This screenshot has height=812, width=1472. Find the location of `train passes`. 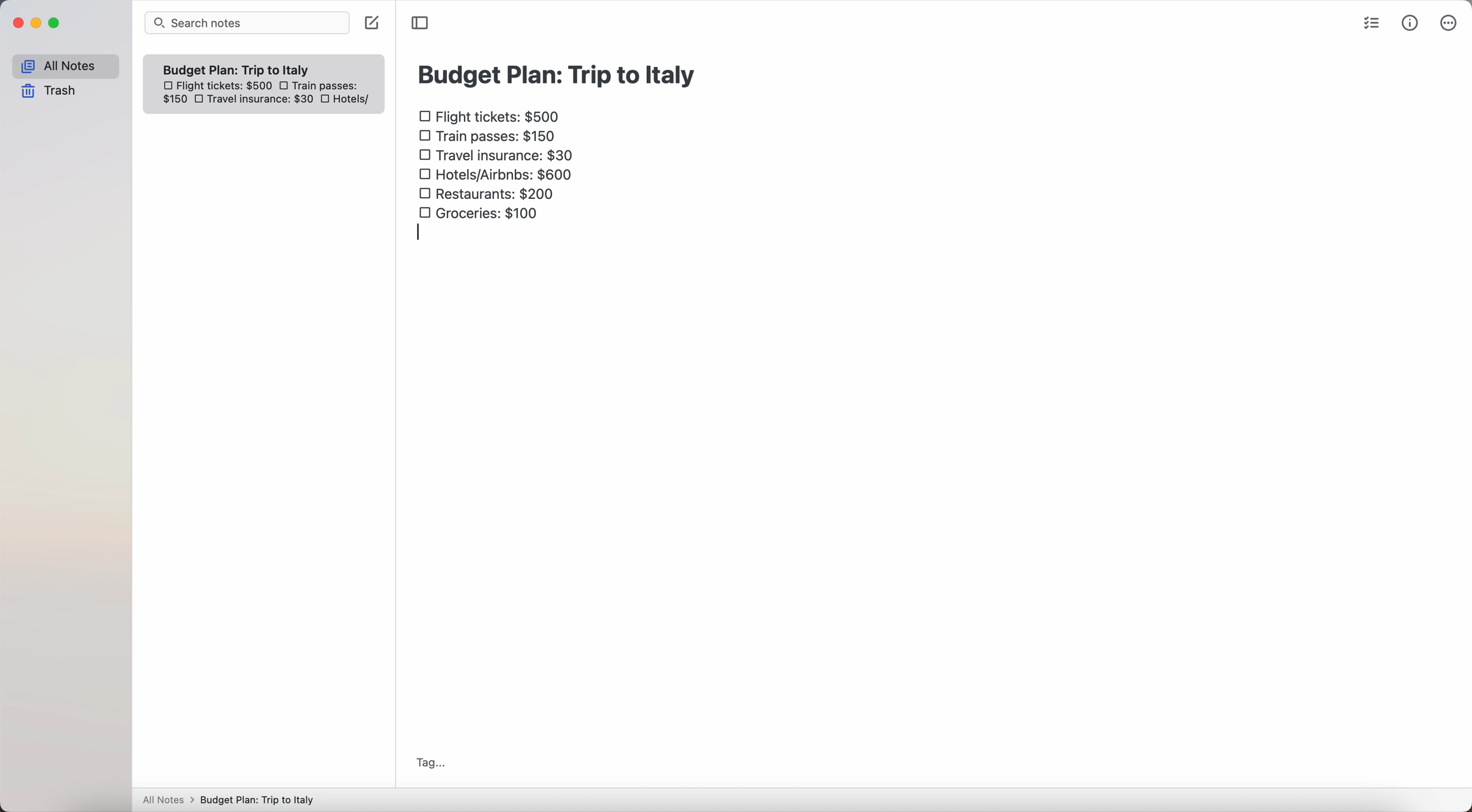

train passes is located at coordinates (326, 84).